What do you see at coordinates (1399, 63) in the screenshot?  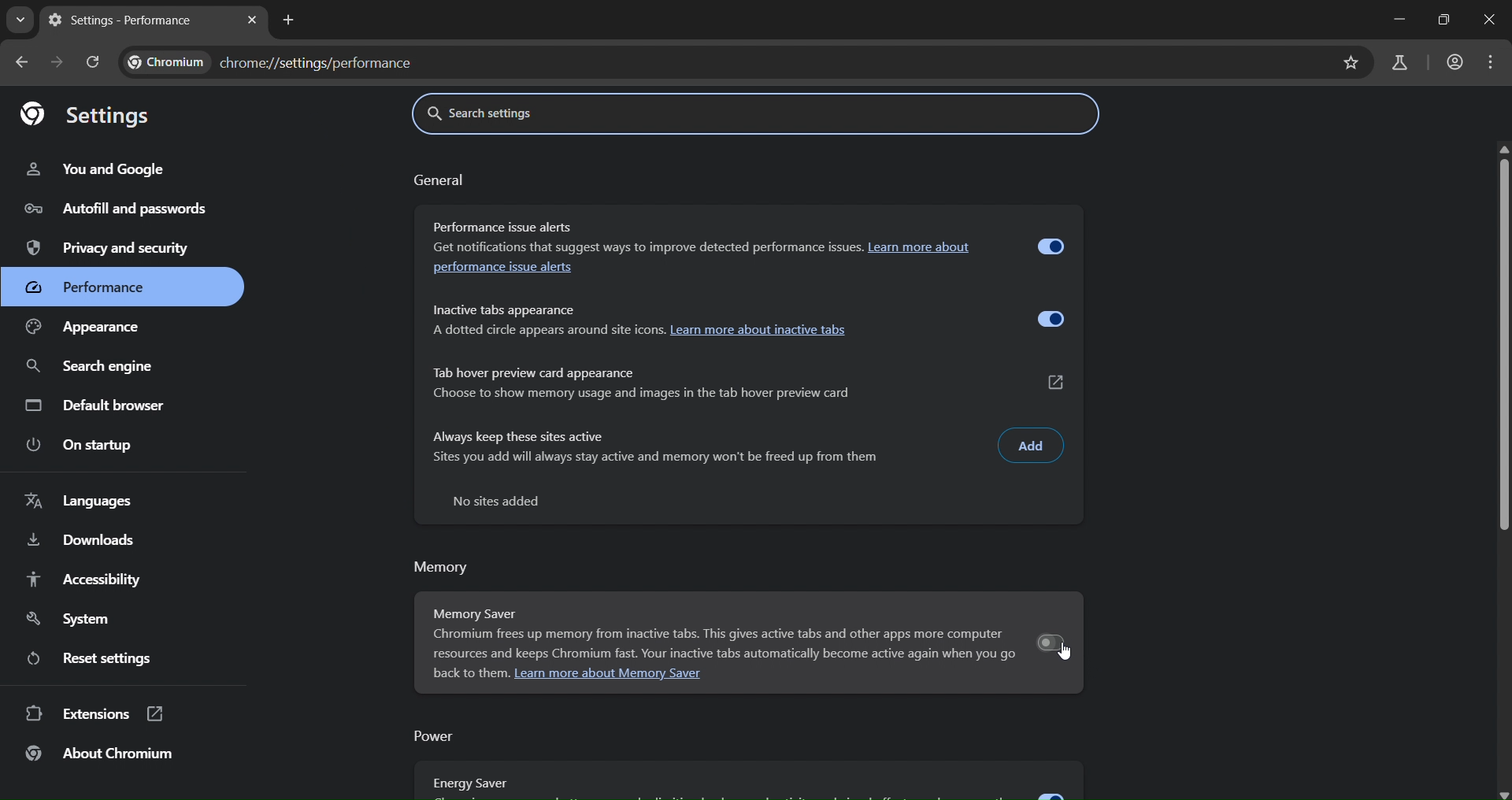 I see `search labs` at bounding box center [1399, 63].